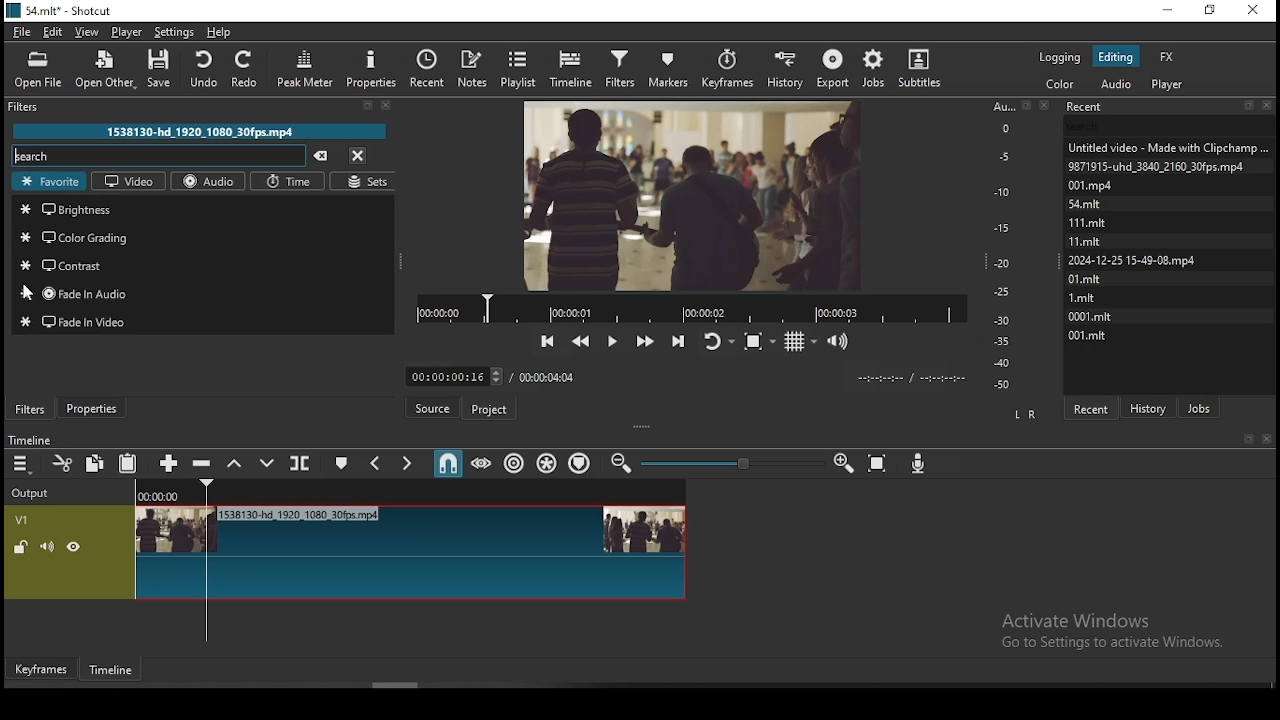 The width and height of the screenshot is (1280, 720). Describe the element at coordinates (666, 68) in the screenshot. I see `markers` at that location.